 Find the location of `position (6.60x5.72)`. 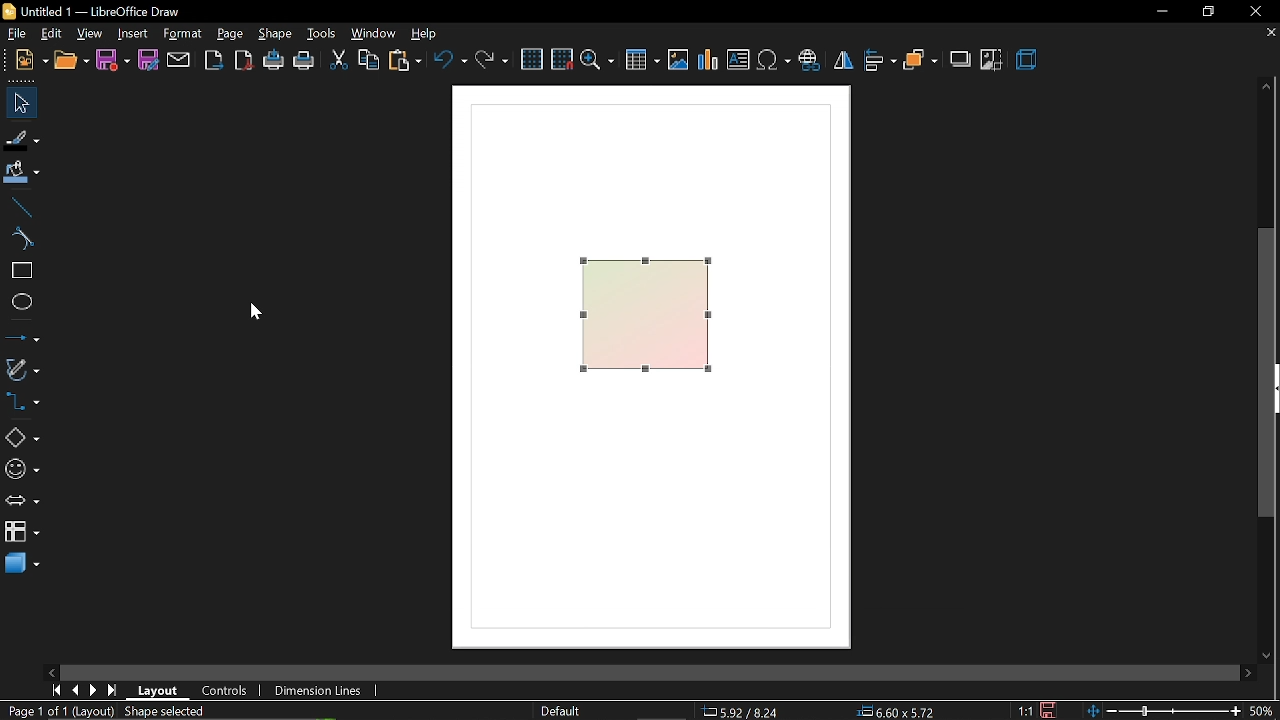

position (6.60x5.72) is located at coordinates (900, 710).